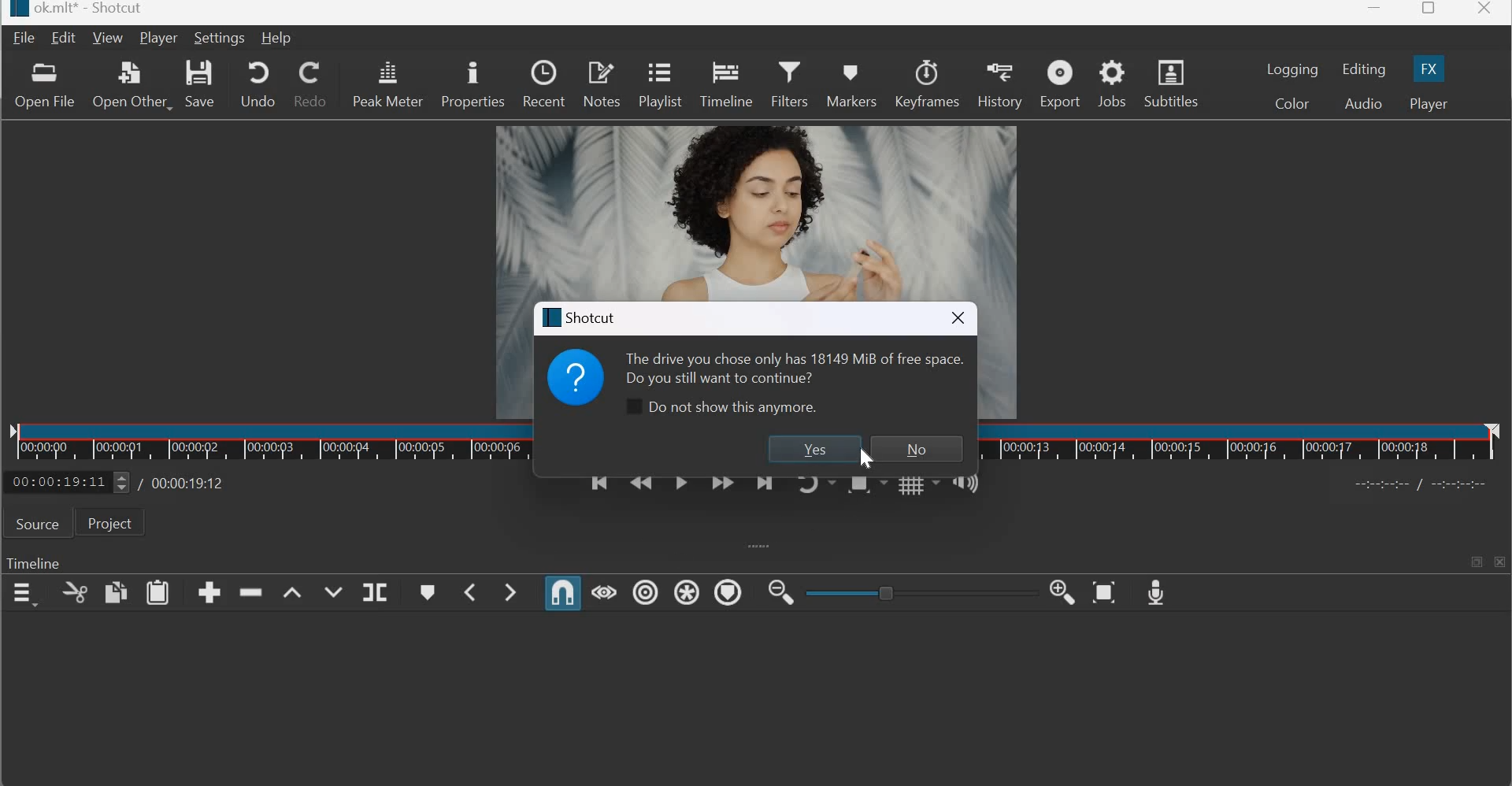 Image resolution: width=1512 pixels, height=786 pixels. What do you see at coordinates (25, 38) in the screenshot?
I see `File` at bounding box center [25, 38].